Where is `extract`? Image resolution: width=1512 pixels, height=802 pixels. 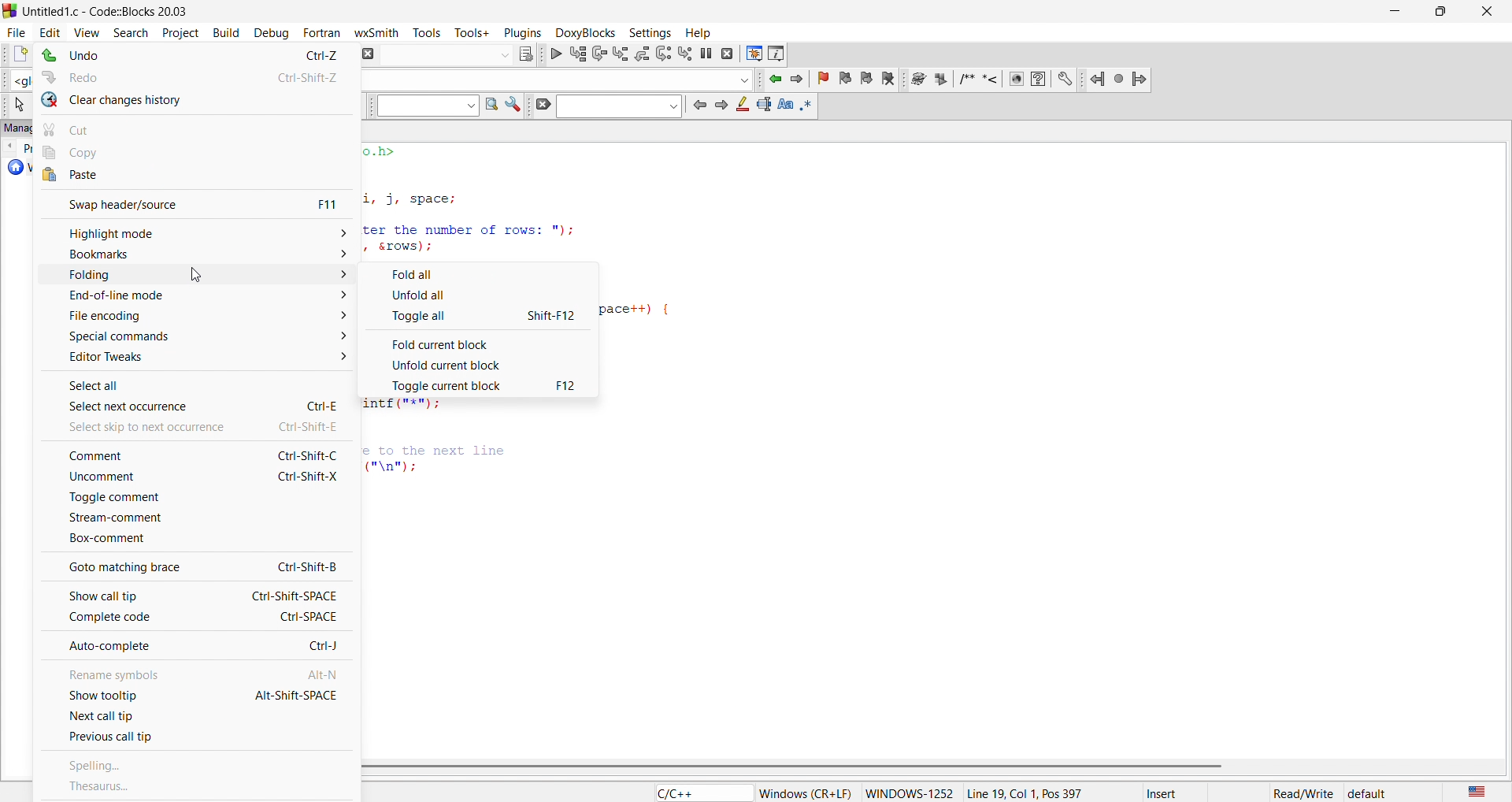 extract is located at coordinates (942, 80).